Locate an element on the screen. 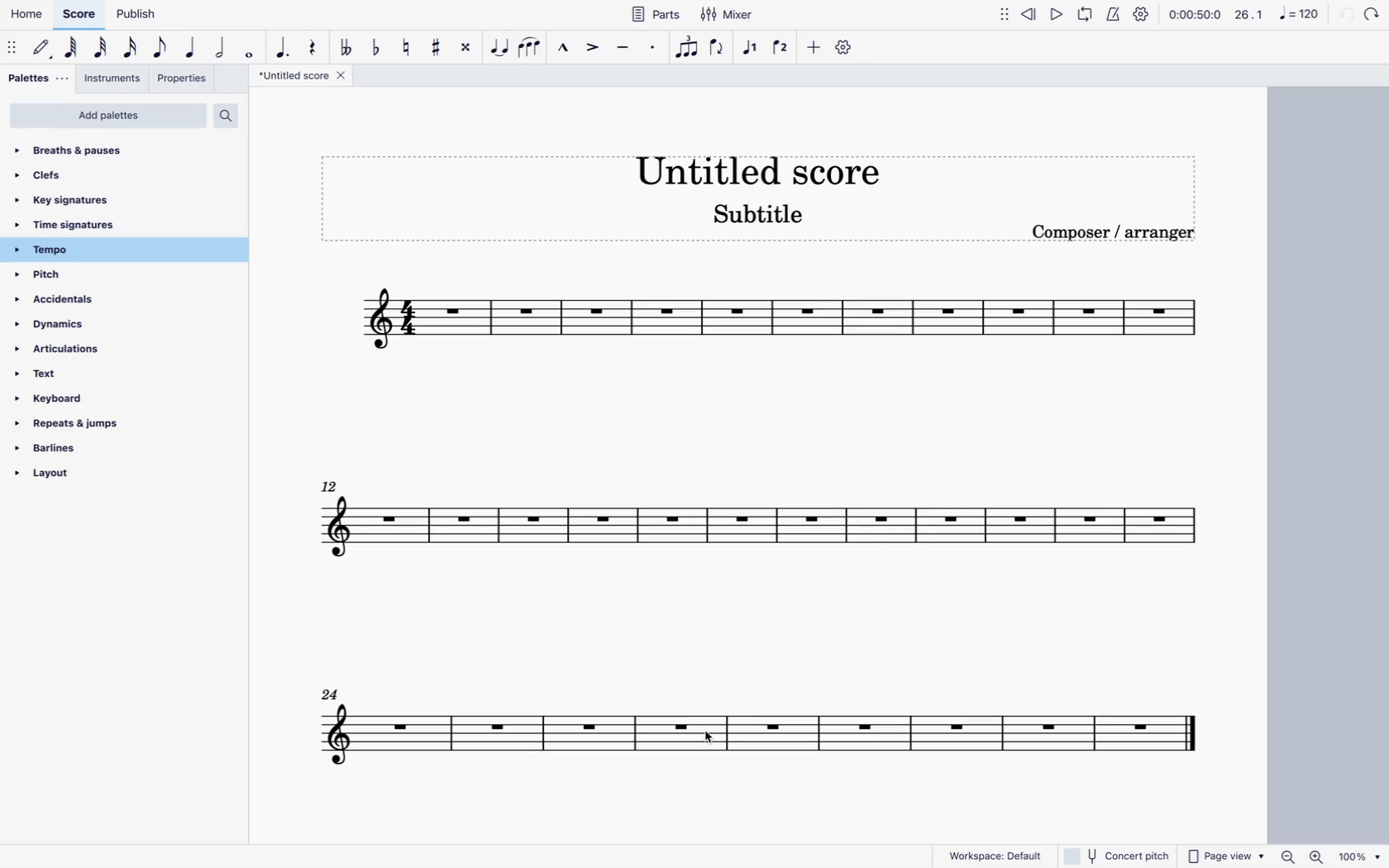 The image size is (1389, 868). keyboard is located at coordinates (82, 399).